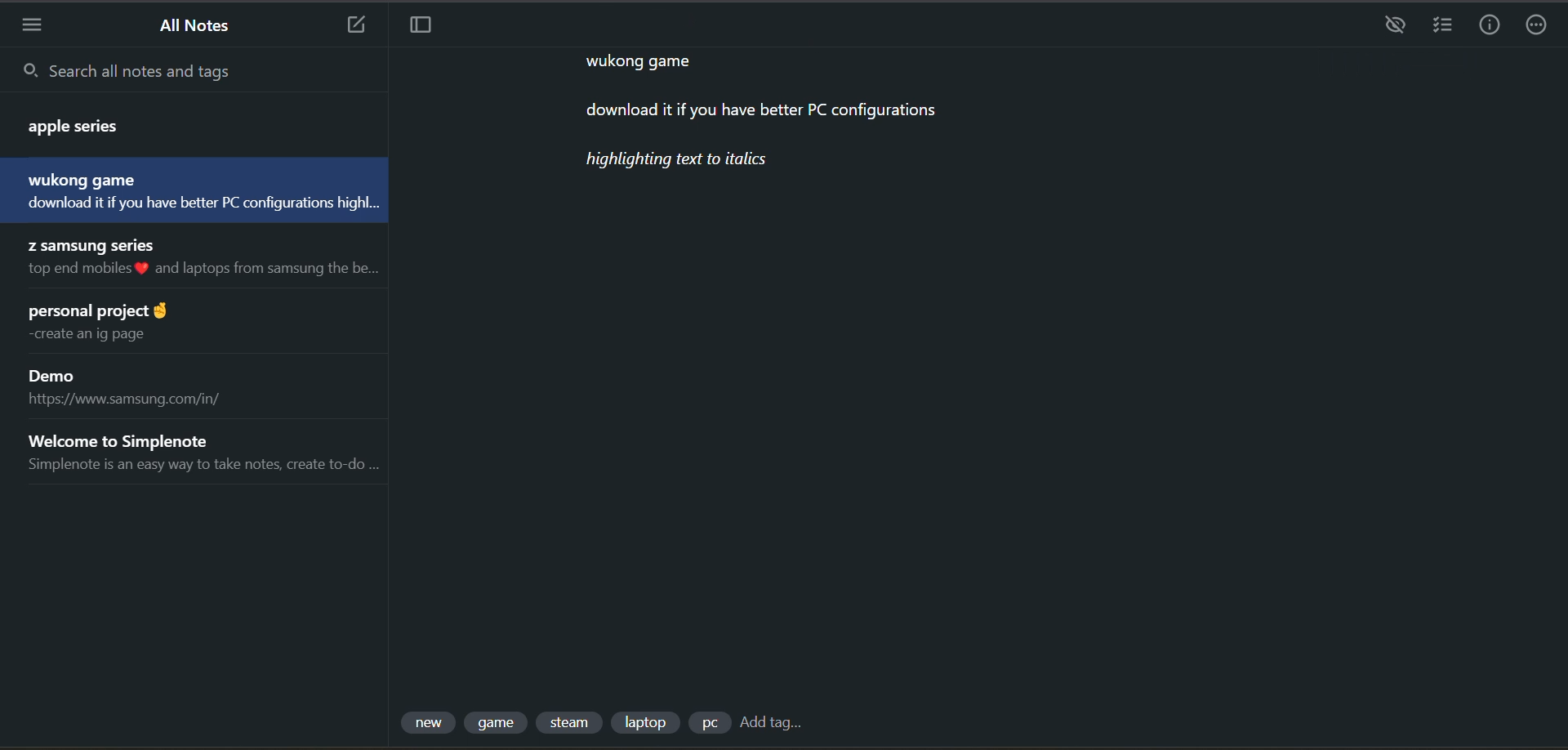 The width and height of the screenshot is (1568, 750). I want to click on note title and preview, so click(180, 122).